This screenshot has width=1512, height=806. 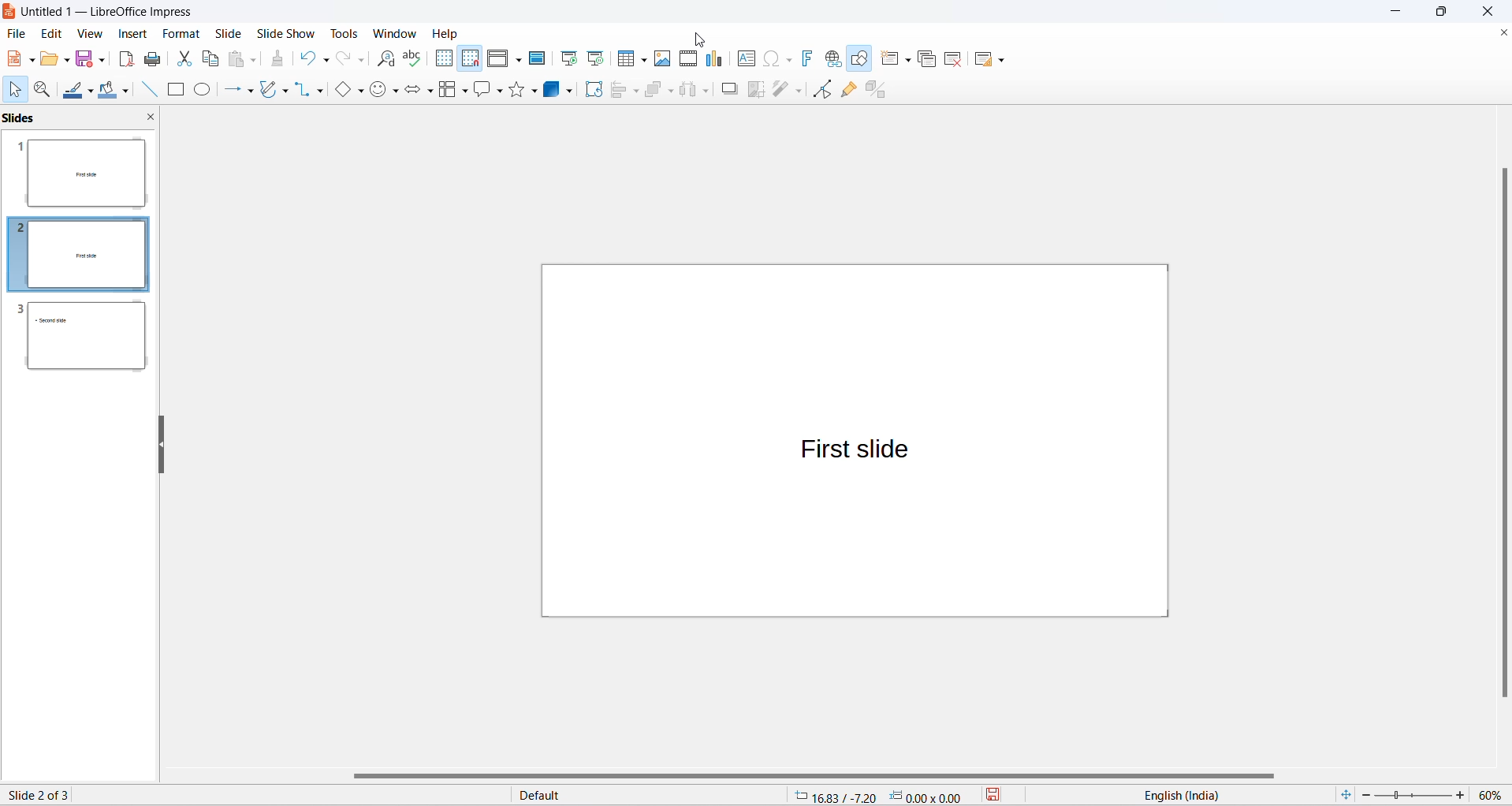 I want to click on connectors, so click(x=303, y=91).